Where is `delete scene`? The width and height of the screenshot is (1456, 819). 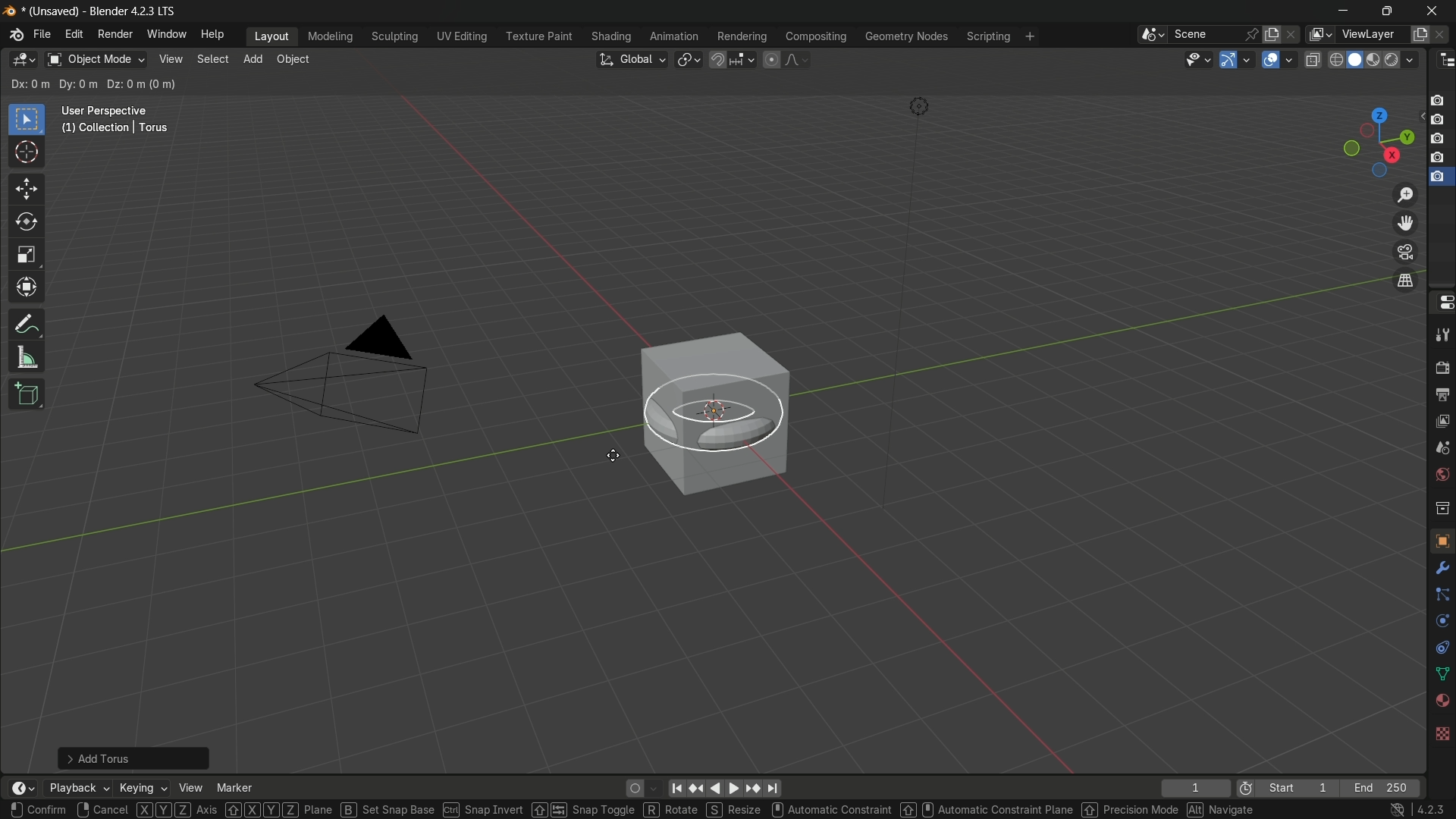
delete scene is located at coordinates (1293, 34).